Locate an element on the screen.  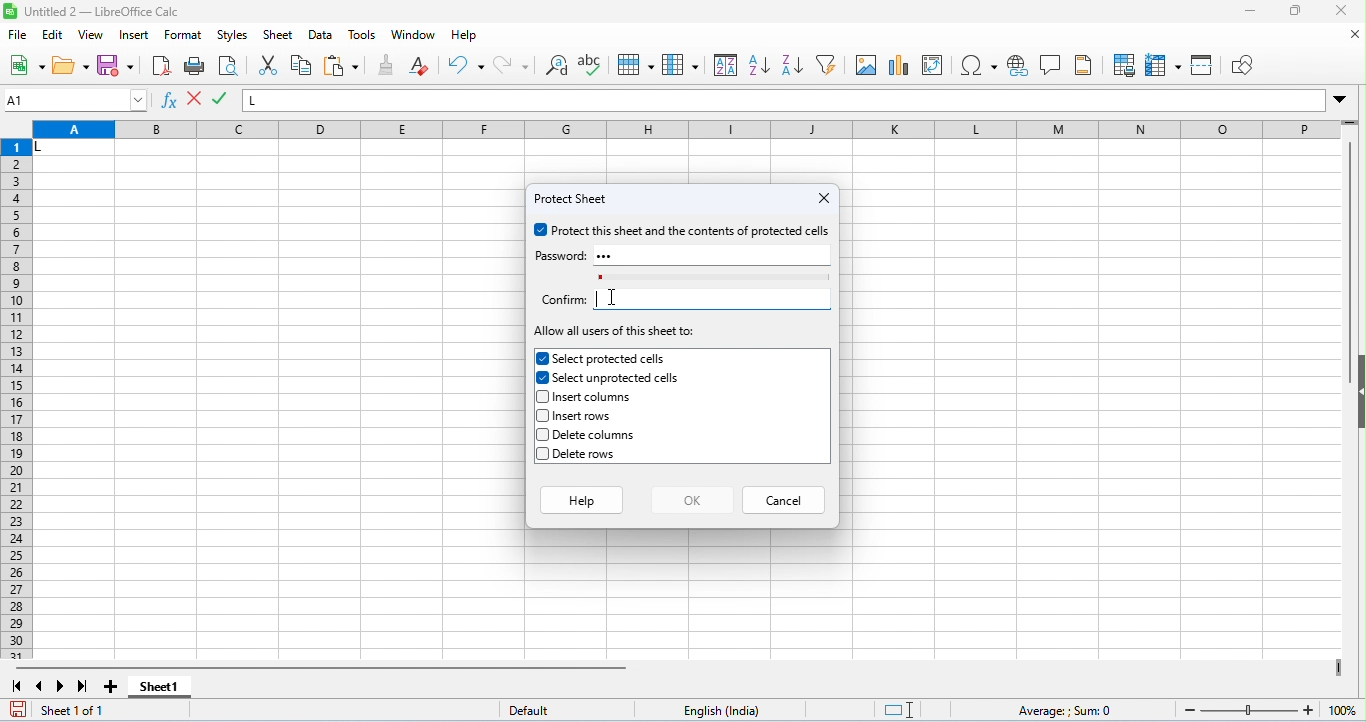
export pdf is located at coordinates (161, 65).